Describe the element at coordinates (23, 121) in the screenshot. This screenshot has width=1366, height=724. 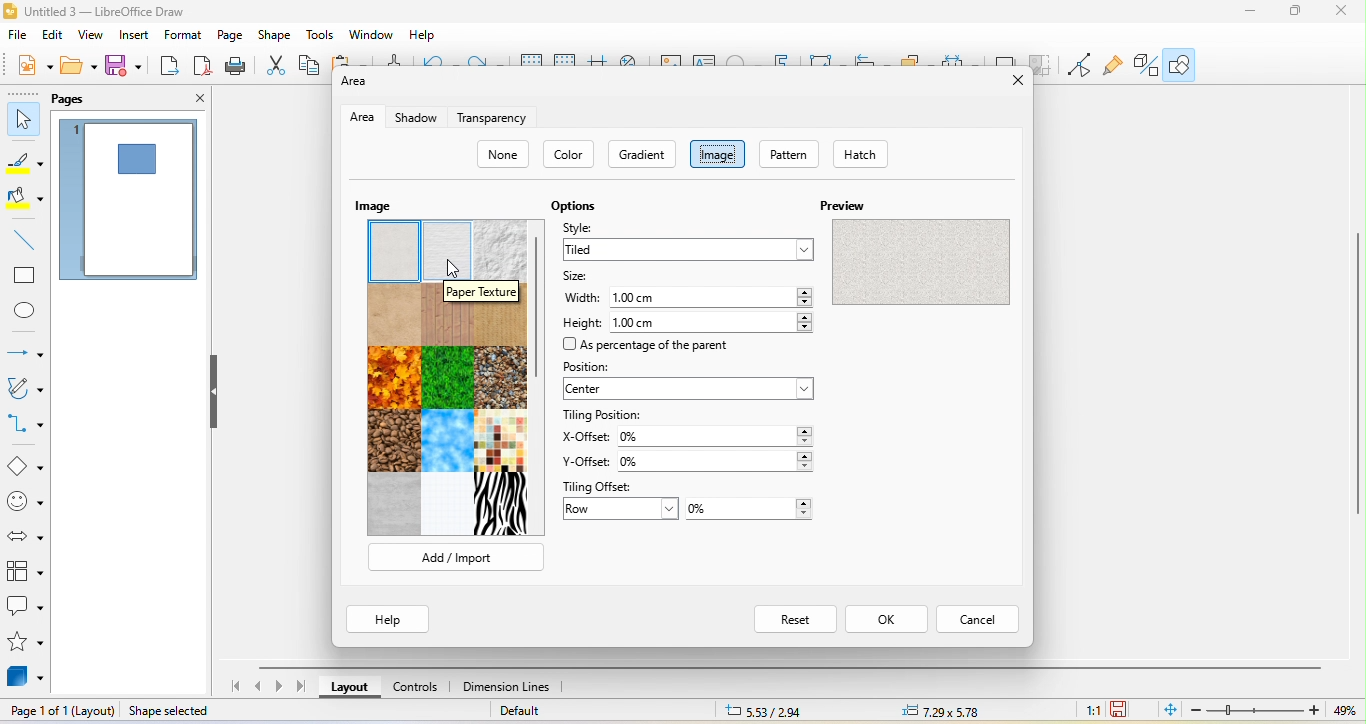
I see `select` at that location.